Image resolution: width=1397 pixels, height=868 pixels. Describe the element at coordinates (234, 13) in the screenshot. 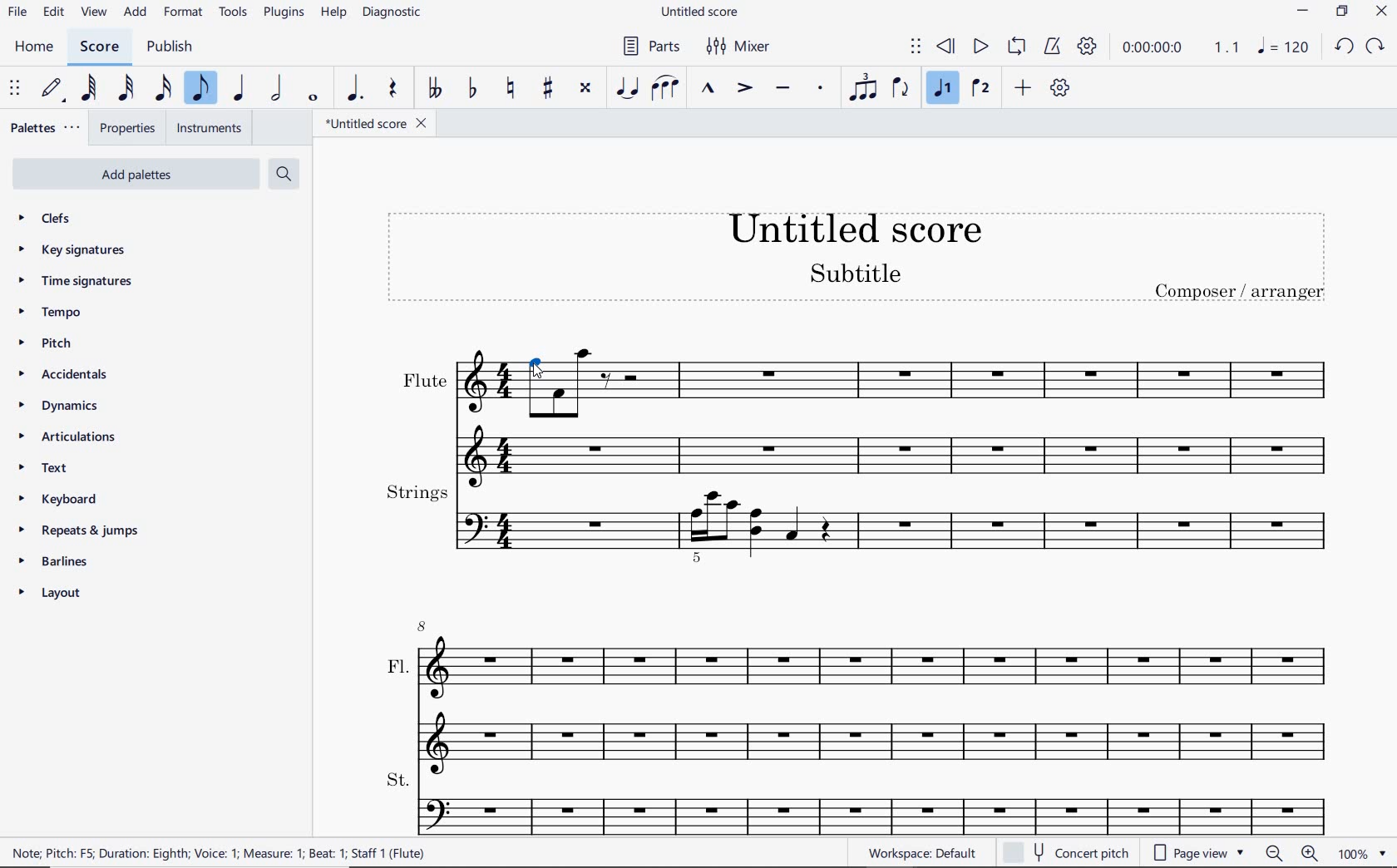

I see `TOOLS` at that location.